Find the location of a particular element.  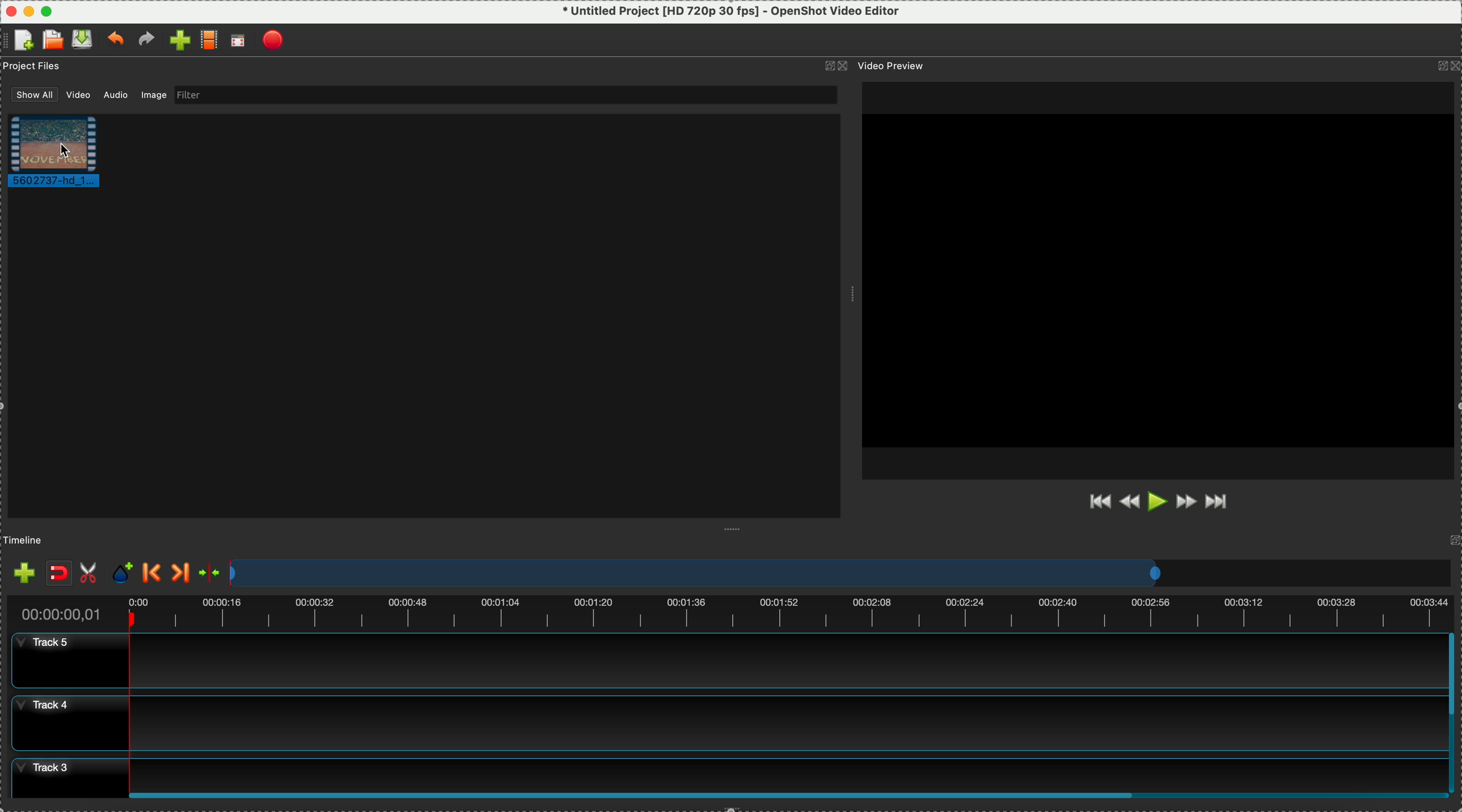

disable snaping is located at coordinates (59, 573).